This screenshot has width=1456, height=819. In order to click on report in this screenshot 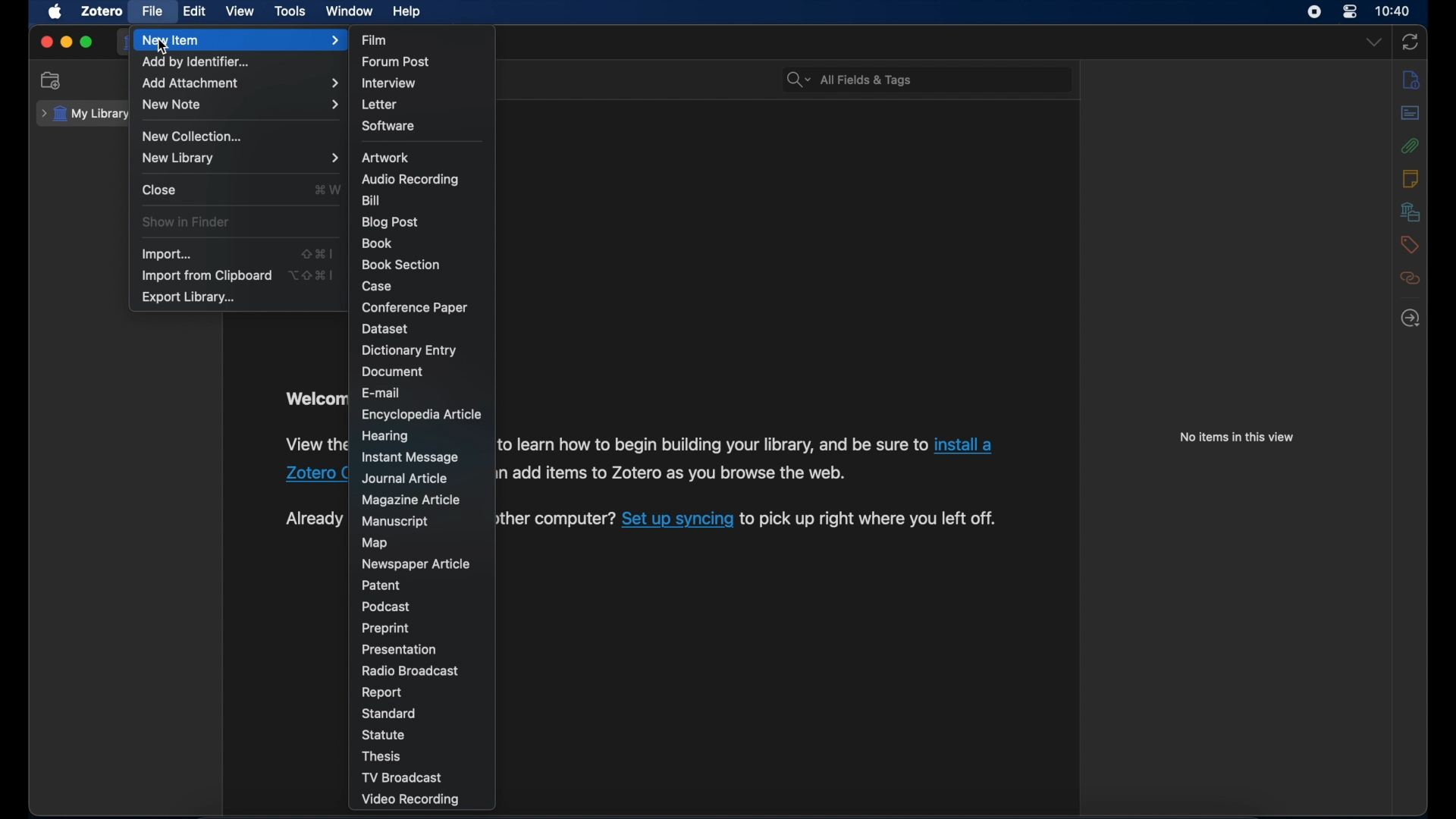, I will do `click(383, 693)`.